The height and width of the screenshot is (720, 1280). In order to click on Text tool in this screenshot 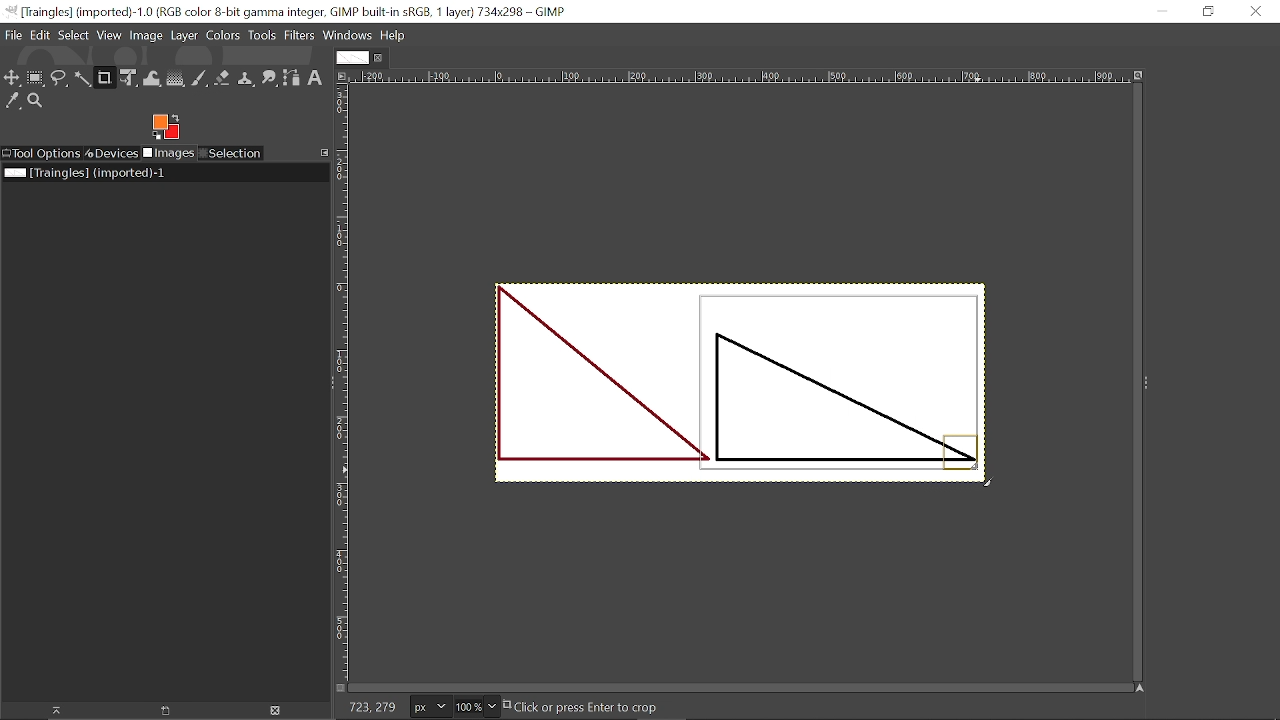, I will do `click(315, 79)`.